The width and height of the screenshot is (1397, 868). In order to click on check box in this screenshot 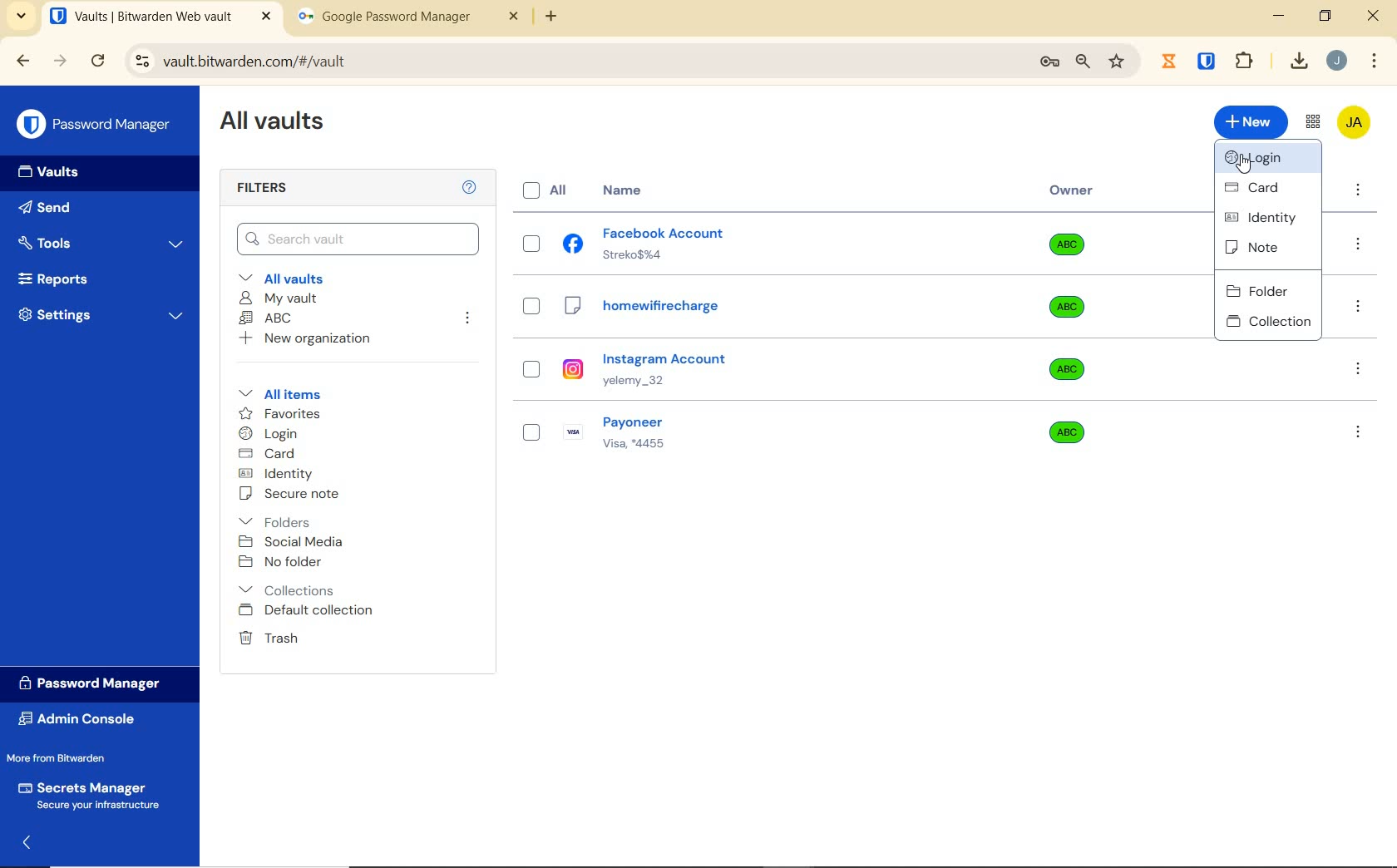, I will do `click(531, 426)`.